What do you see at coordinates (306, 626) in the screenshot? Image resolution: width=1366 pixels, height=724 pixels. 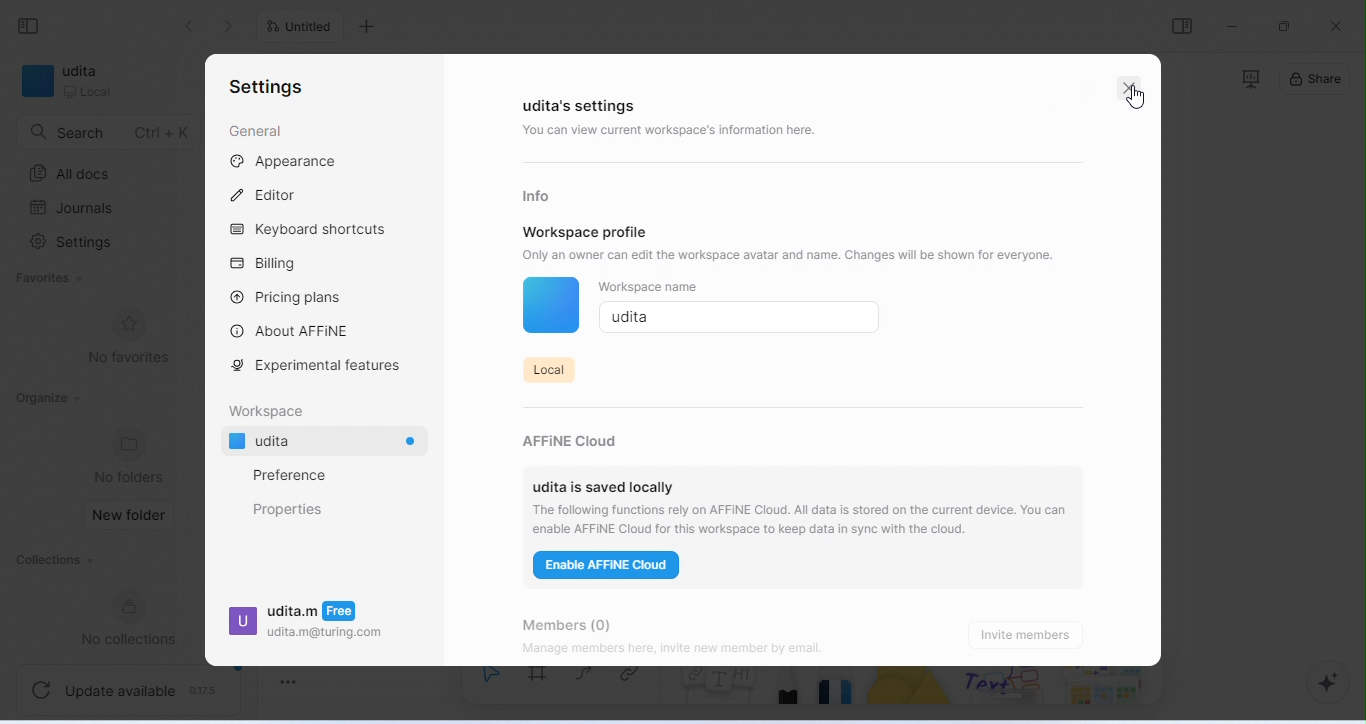 I see `udita.m udita.m@turing.com` at bounding box center [306, 626].